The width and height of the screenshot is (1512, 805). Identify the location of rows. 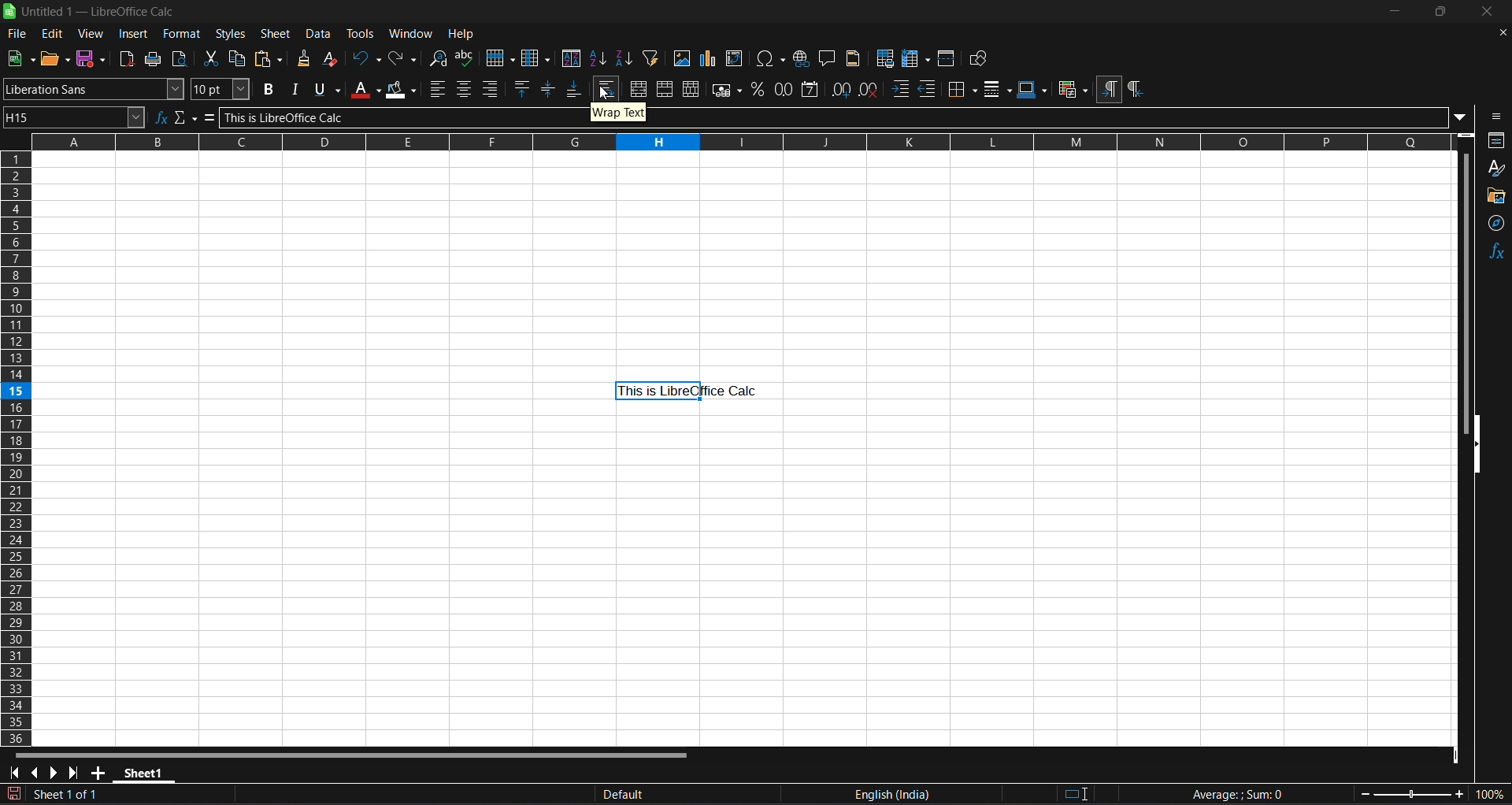
(722, 146).